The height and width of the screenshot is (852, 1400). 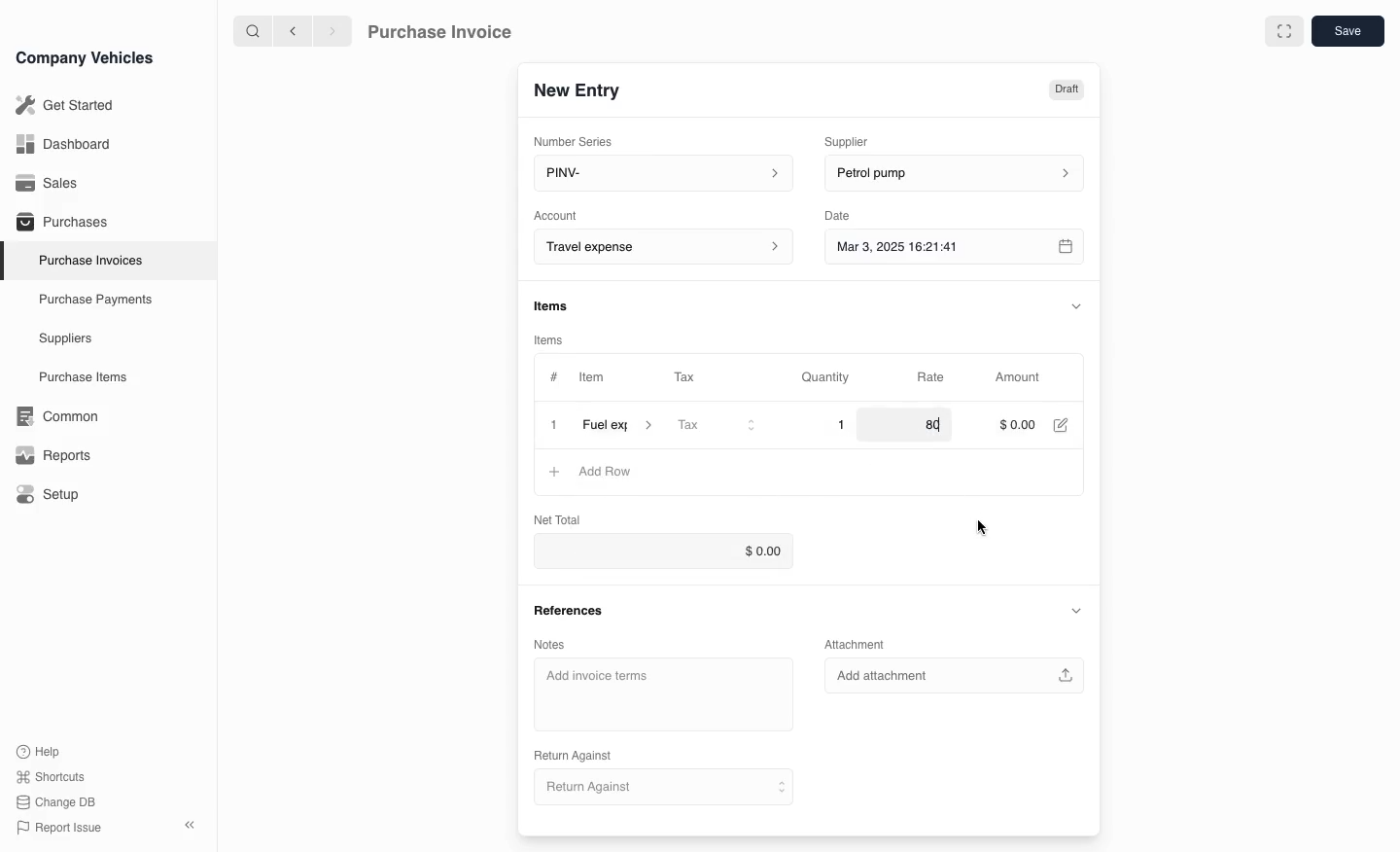 I want to click on Draft, so click(x=1065, y=88).